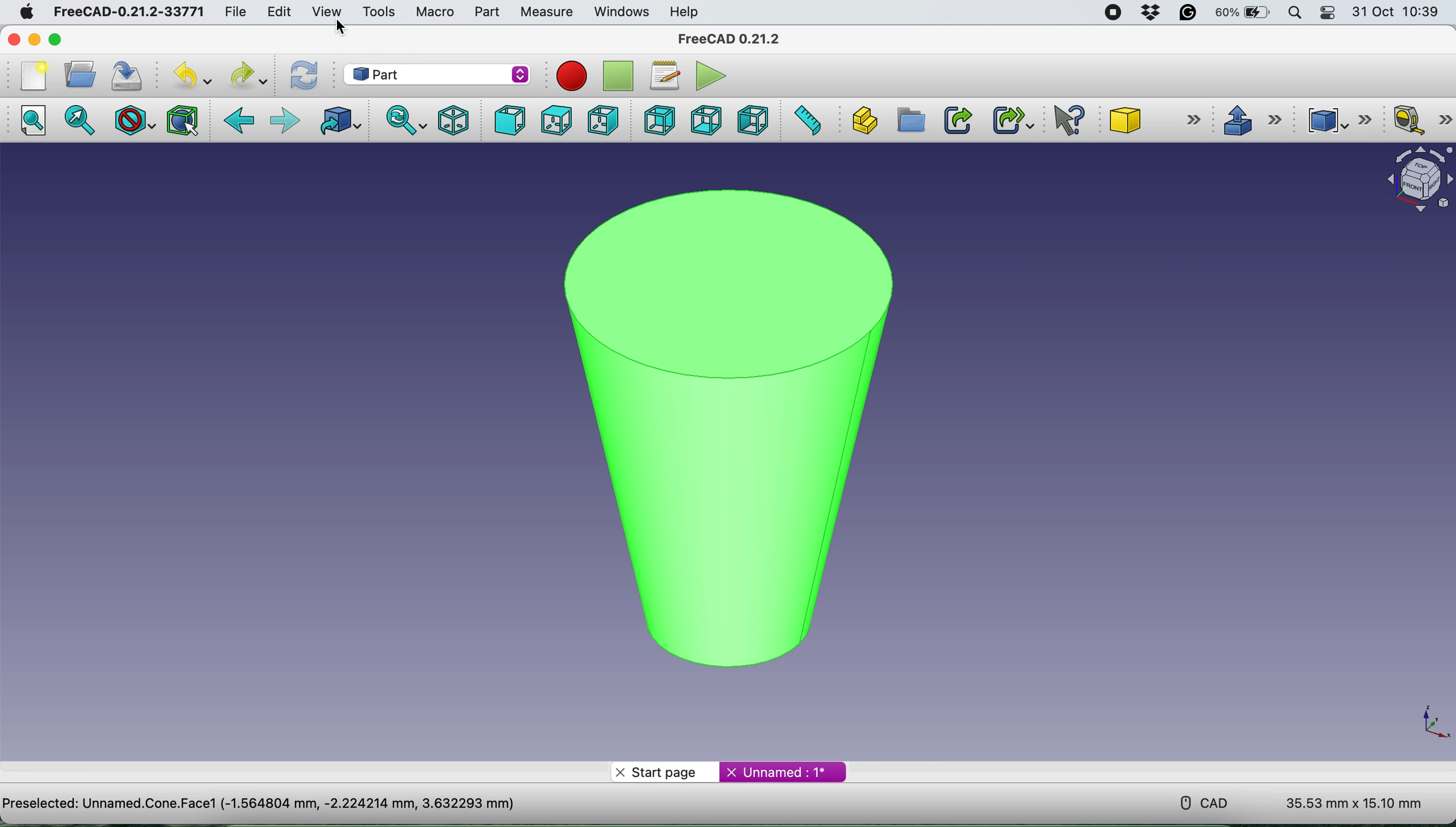 The image size is (1456, 827). Describe the element at coordinates (664, 73) in the screenshot. I see `macros` at that location.